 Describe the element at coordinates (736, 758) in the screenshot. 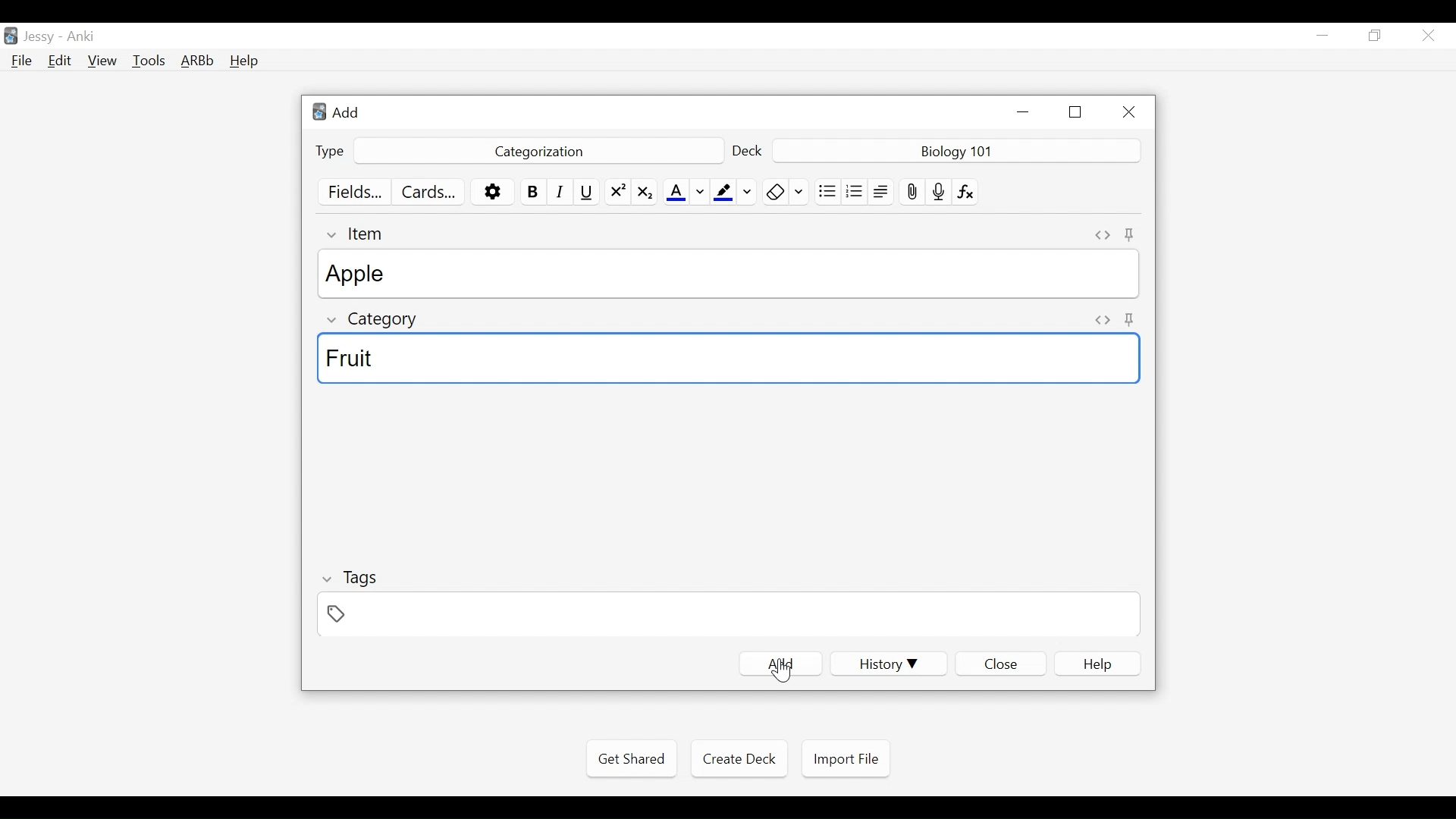

I see `Create Deck` at that location.